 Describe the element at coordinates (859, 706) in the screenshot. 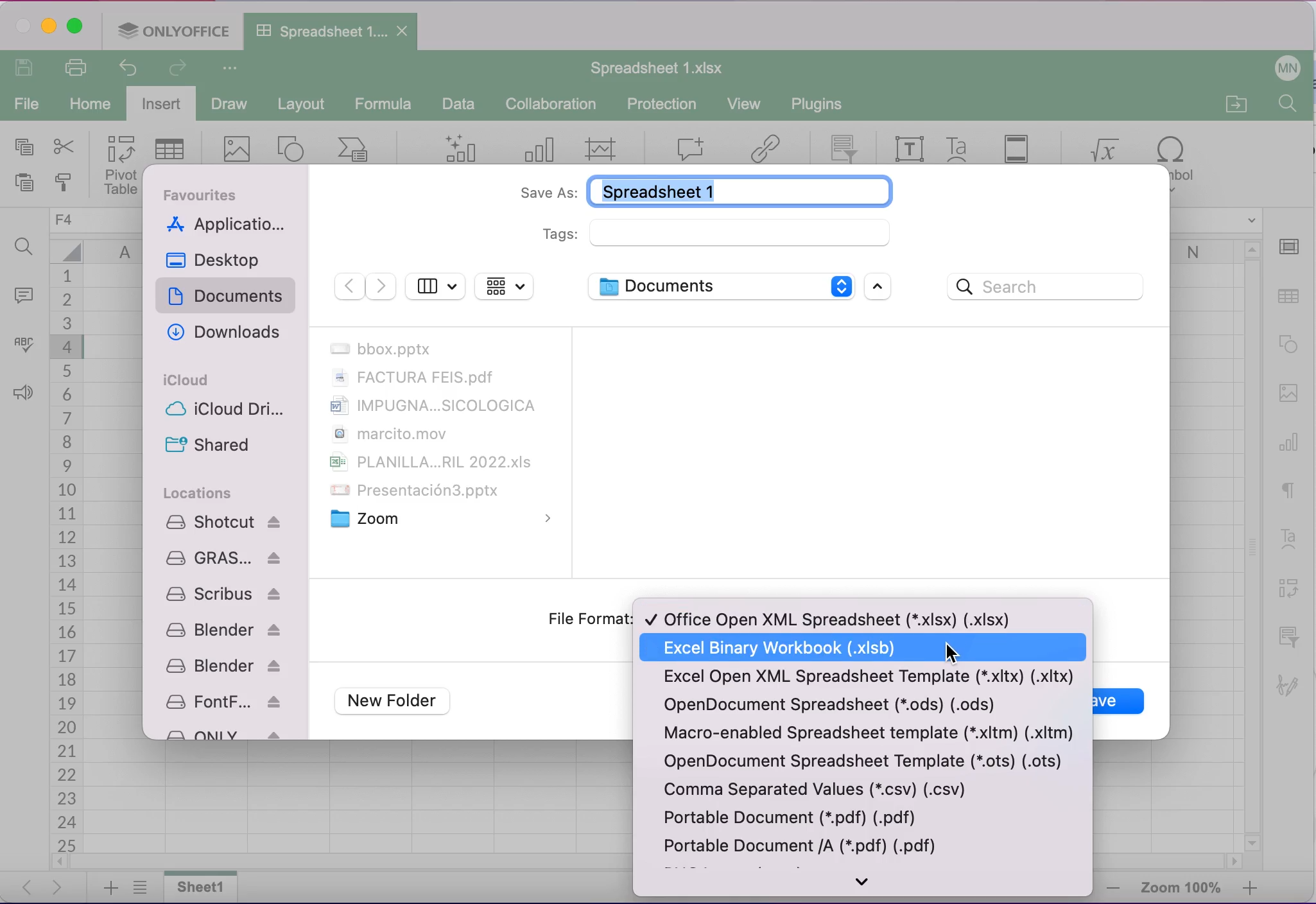

I see `opendocument spreadsheet` at that location.